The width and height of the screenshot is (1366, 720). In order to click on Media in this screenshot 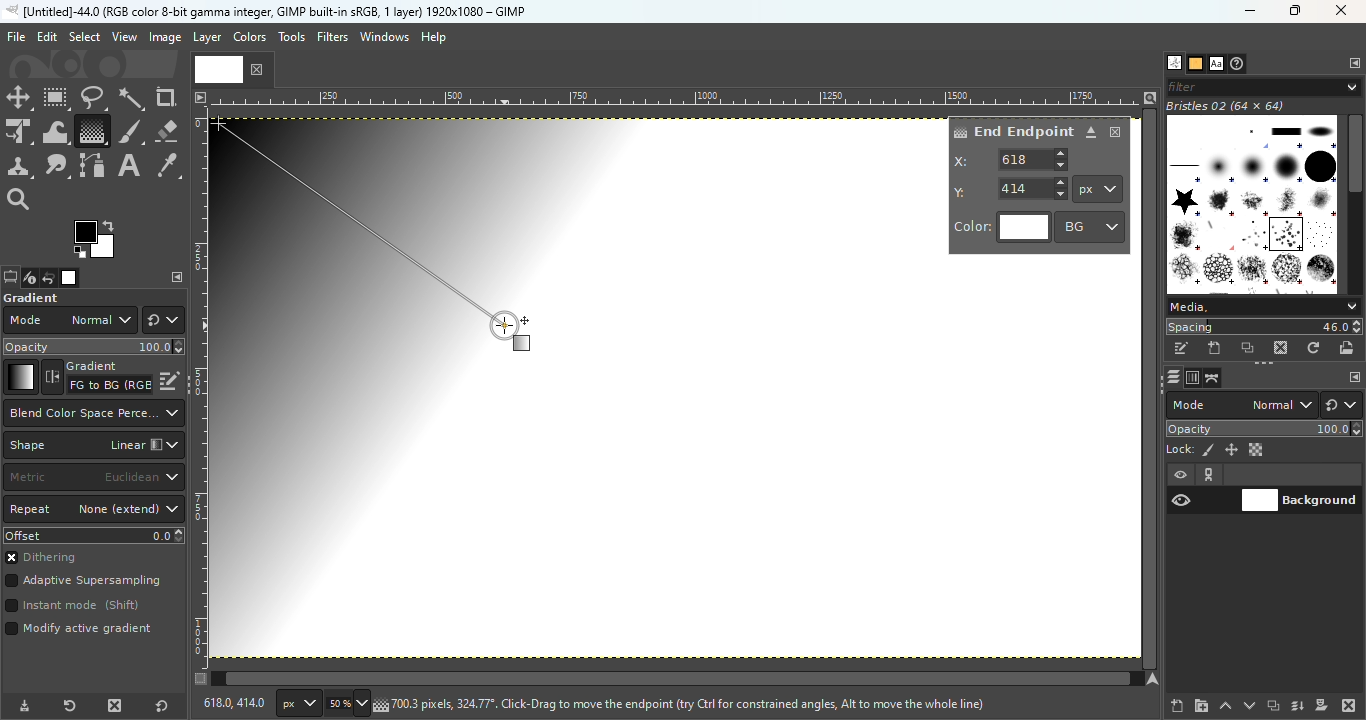, I will do `click(1262, 307)`.